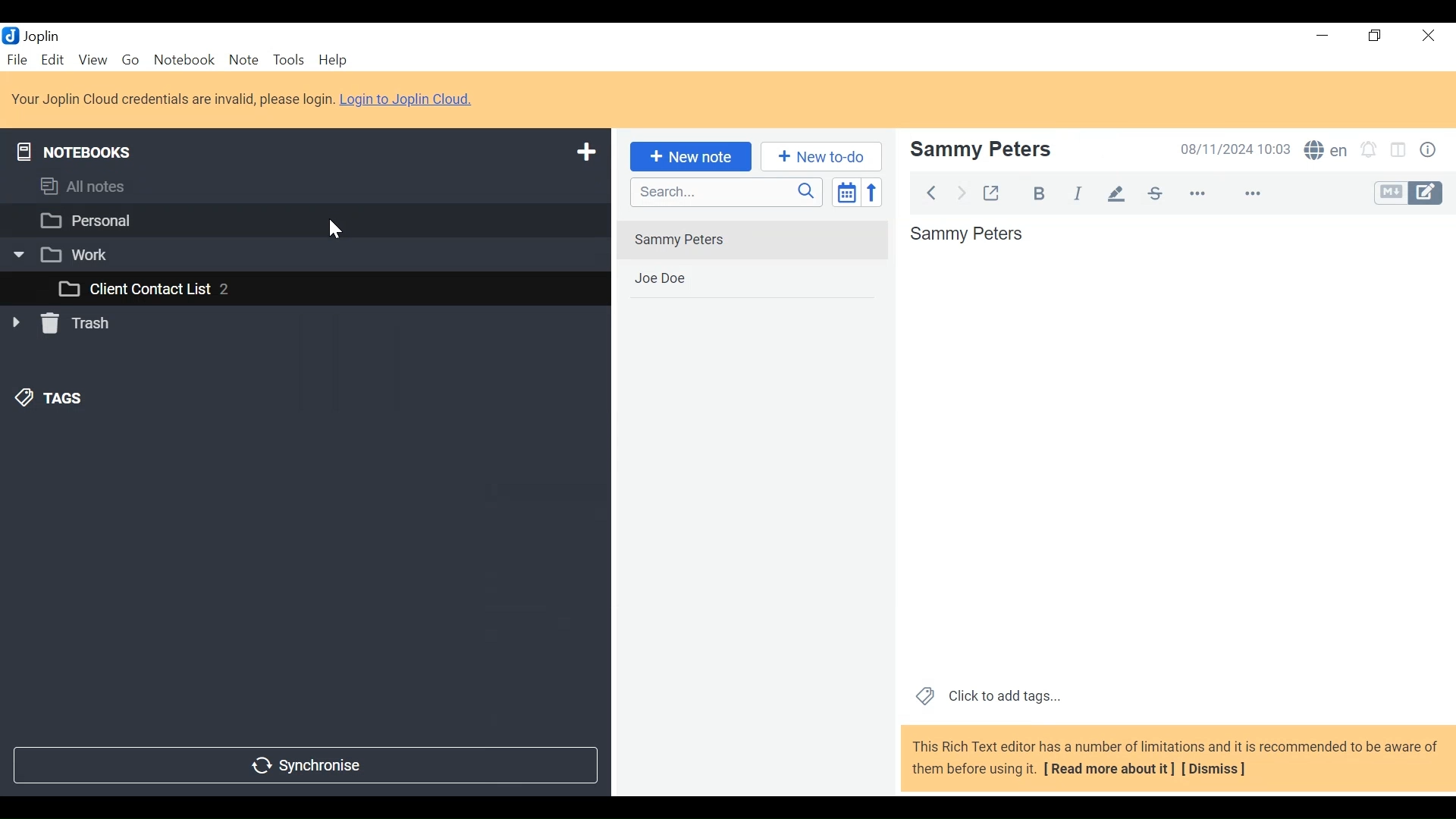  Describe the element at coordinates (1407, 193) in the screenshot. I see `Toggle Editor` at that location.